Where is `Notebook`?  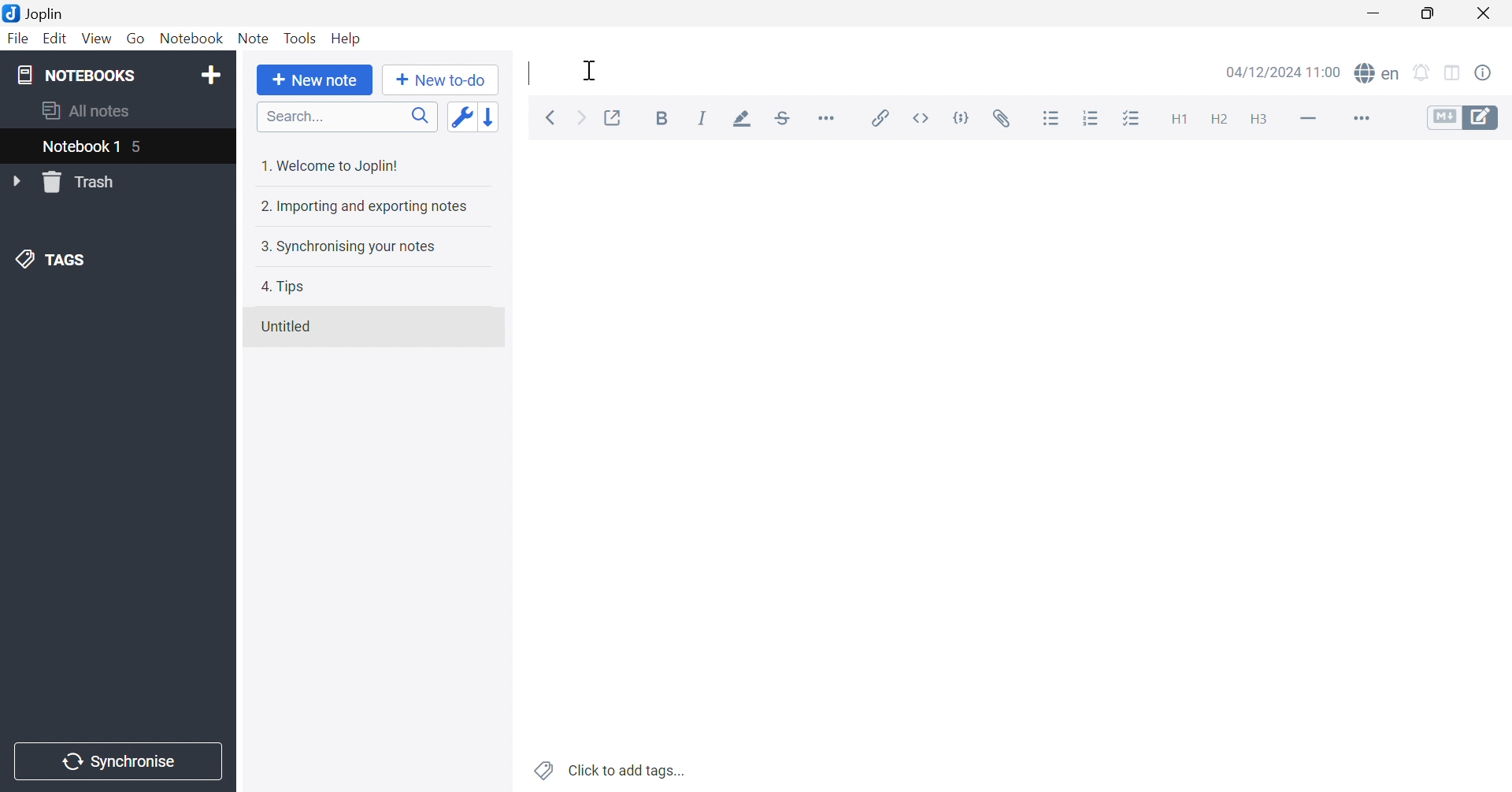 Notebook is located at coordinates (195, 41).